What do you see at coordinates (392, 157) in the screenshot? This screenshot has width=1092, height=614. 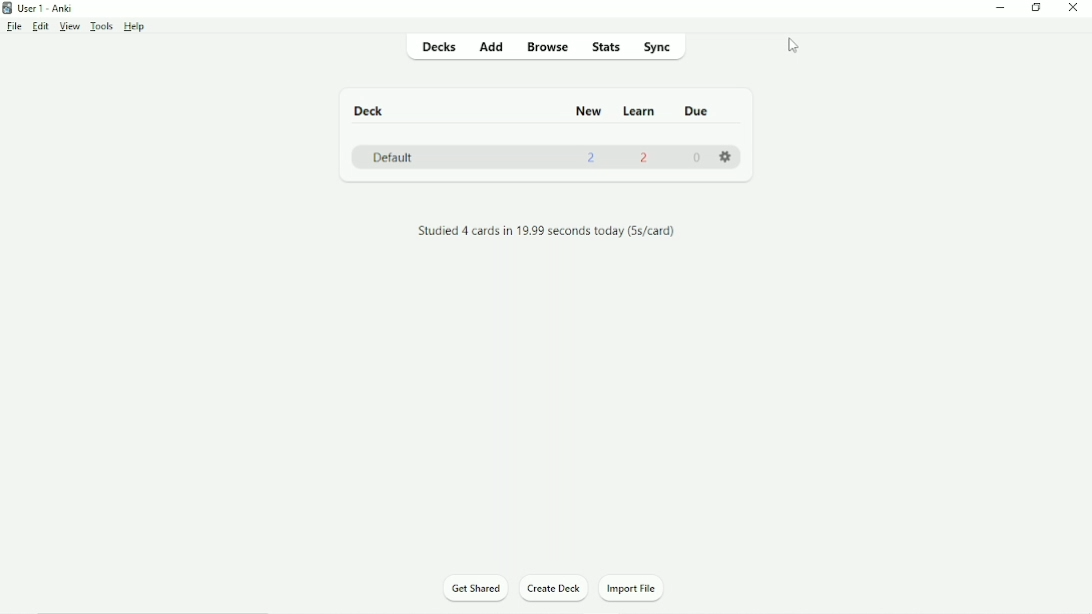 I see `Default` at bounding box center [392, 157].